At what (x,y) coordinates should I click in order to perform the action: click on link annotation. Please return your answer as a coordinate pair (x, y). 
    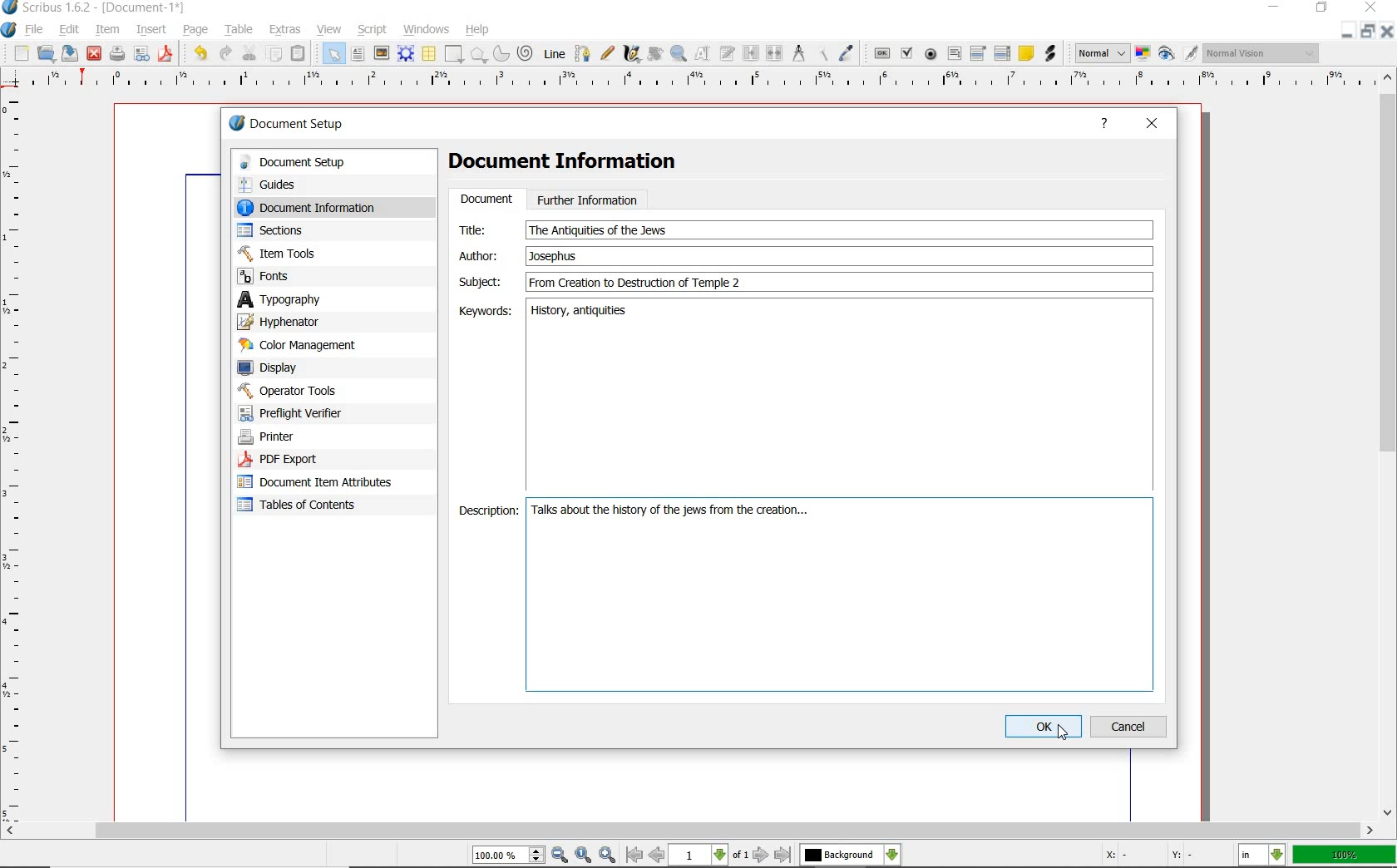
    Looking at the image, I should click on (1049, 54).